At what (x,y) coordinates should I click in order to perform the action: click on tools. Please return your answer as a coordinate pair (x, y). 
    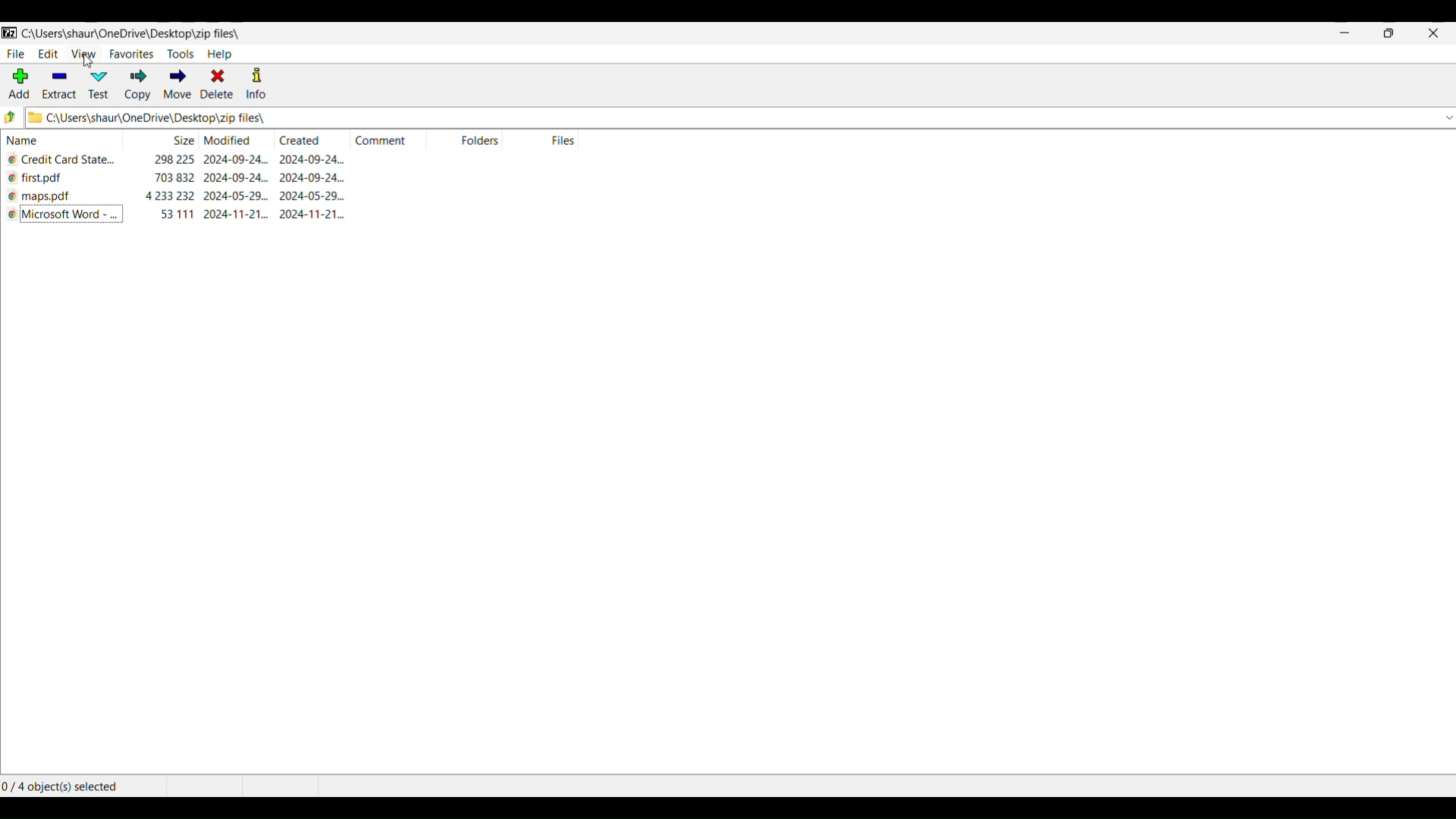
    Looking at the image, I should click on (180, 55).